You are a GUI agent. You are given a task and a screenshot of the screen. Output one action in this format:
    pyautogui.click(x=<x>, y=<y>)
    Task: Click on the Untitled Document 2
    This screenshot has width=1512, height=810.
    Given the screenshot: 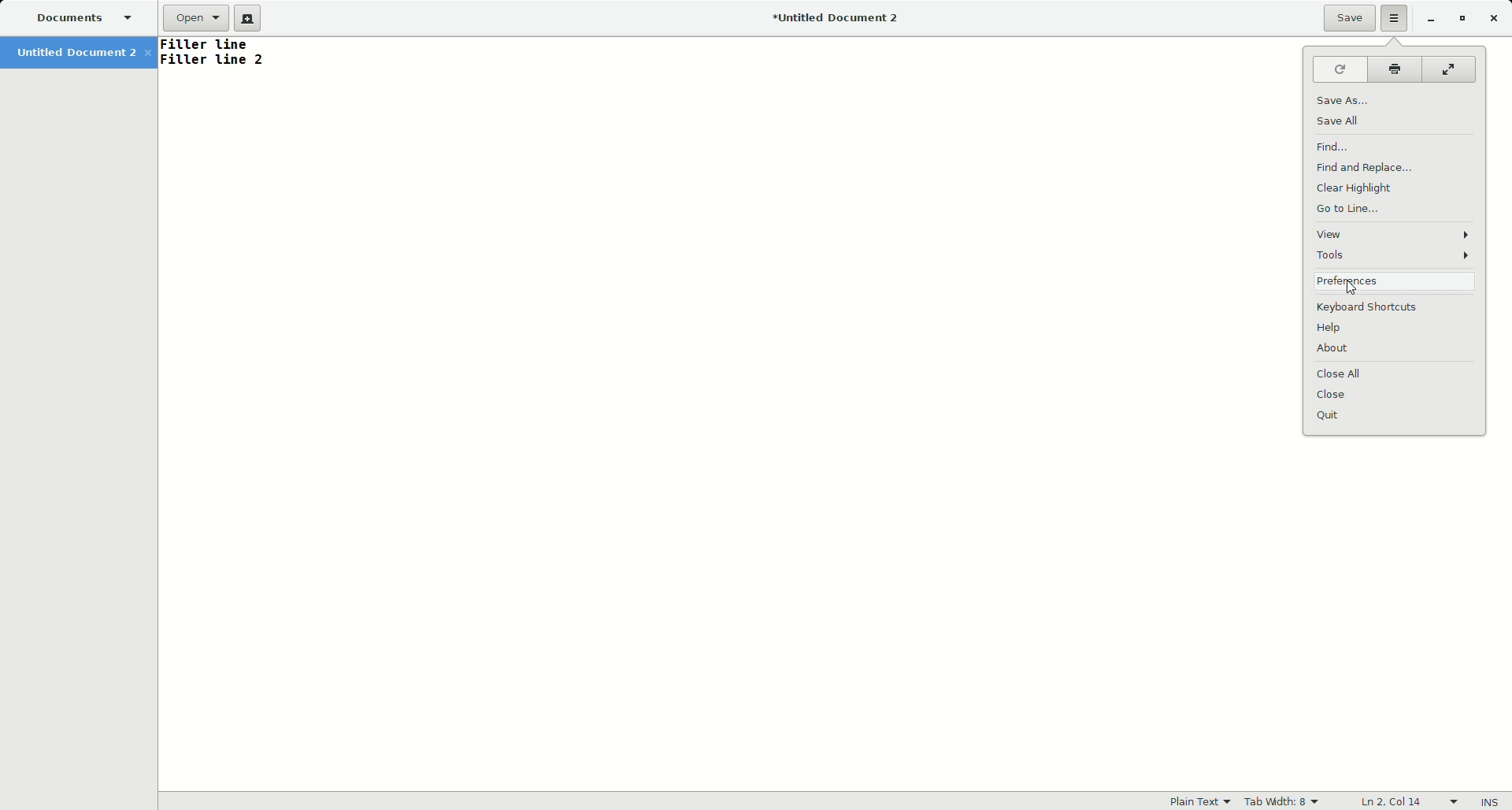 What is the action you would take?
    pyautogui.click(x=83, y=52)
    